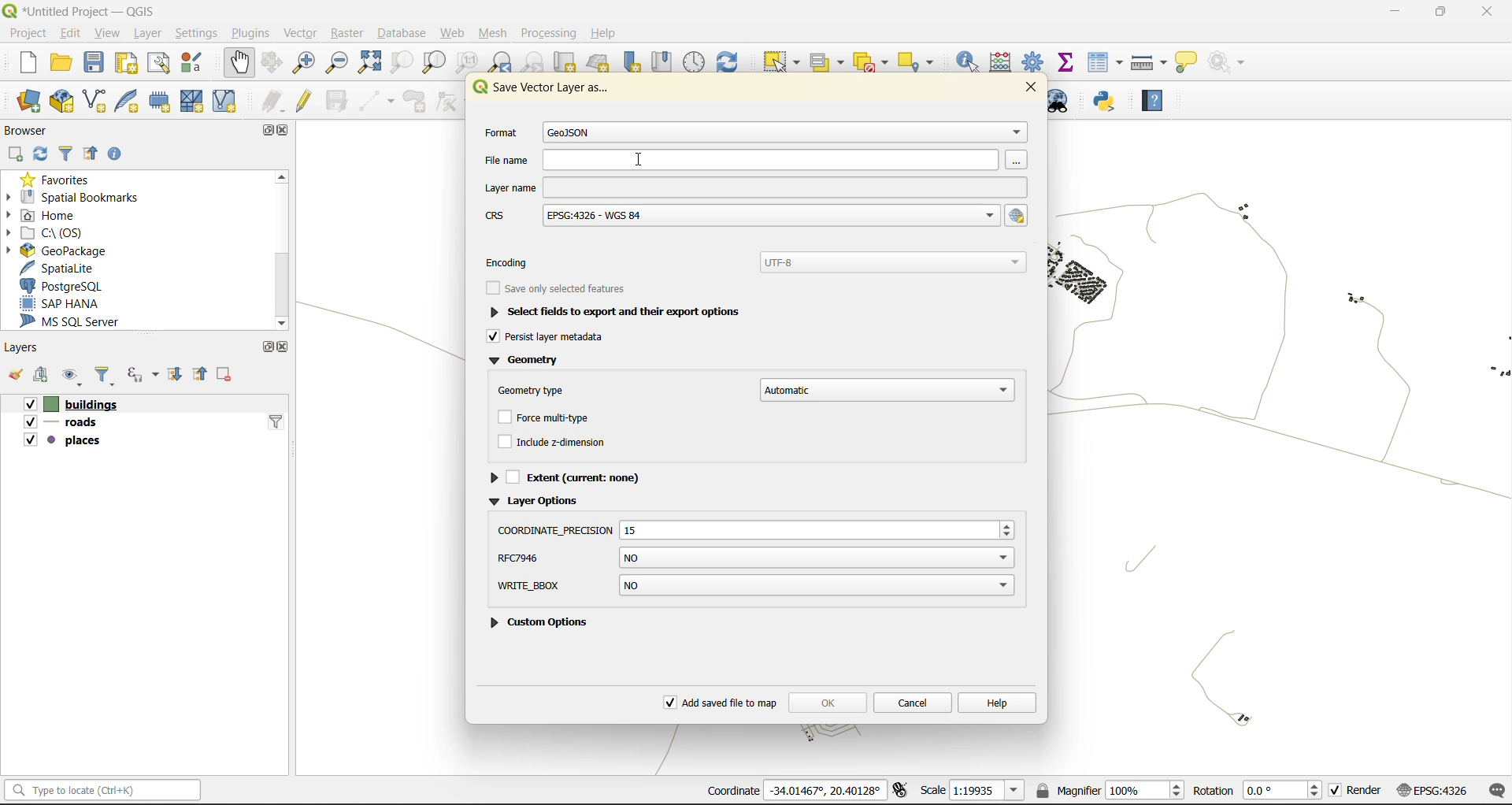  I want to click on save edits, so click(336, 99).